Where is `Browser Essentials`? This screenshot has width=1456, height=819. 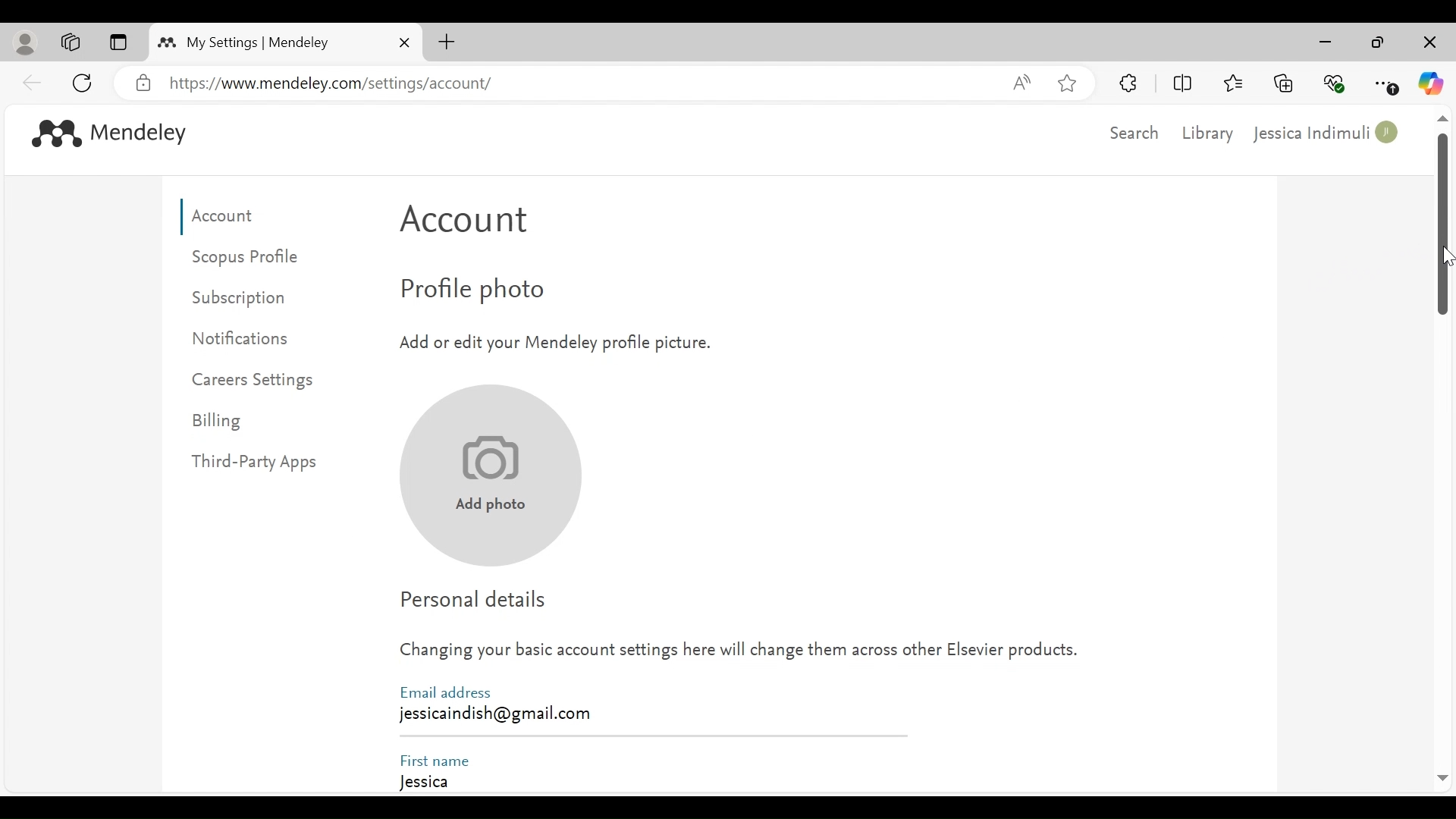 Browser Essentials is located at coordinates (1335, 82).